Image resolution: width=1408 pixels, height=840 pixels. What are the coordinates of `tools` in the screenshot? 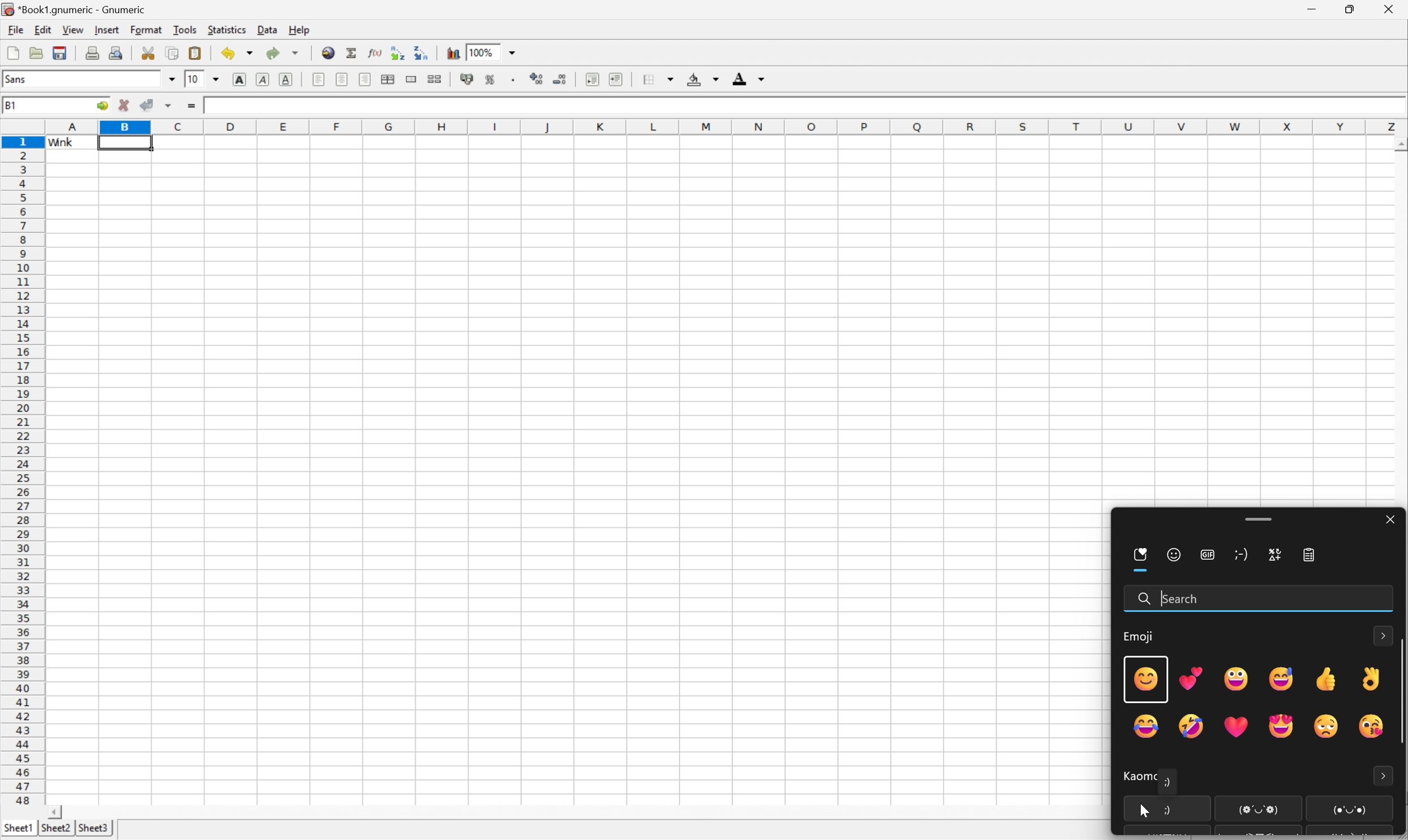 It's located at (183, 31).